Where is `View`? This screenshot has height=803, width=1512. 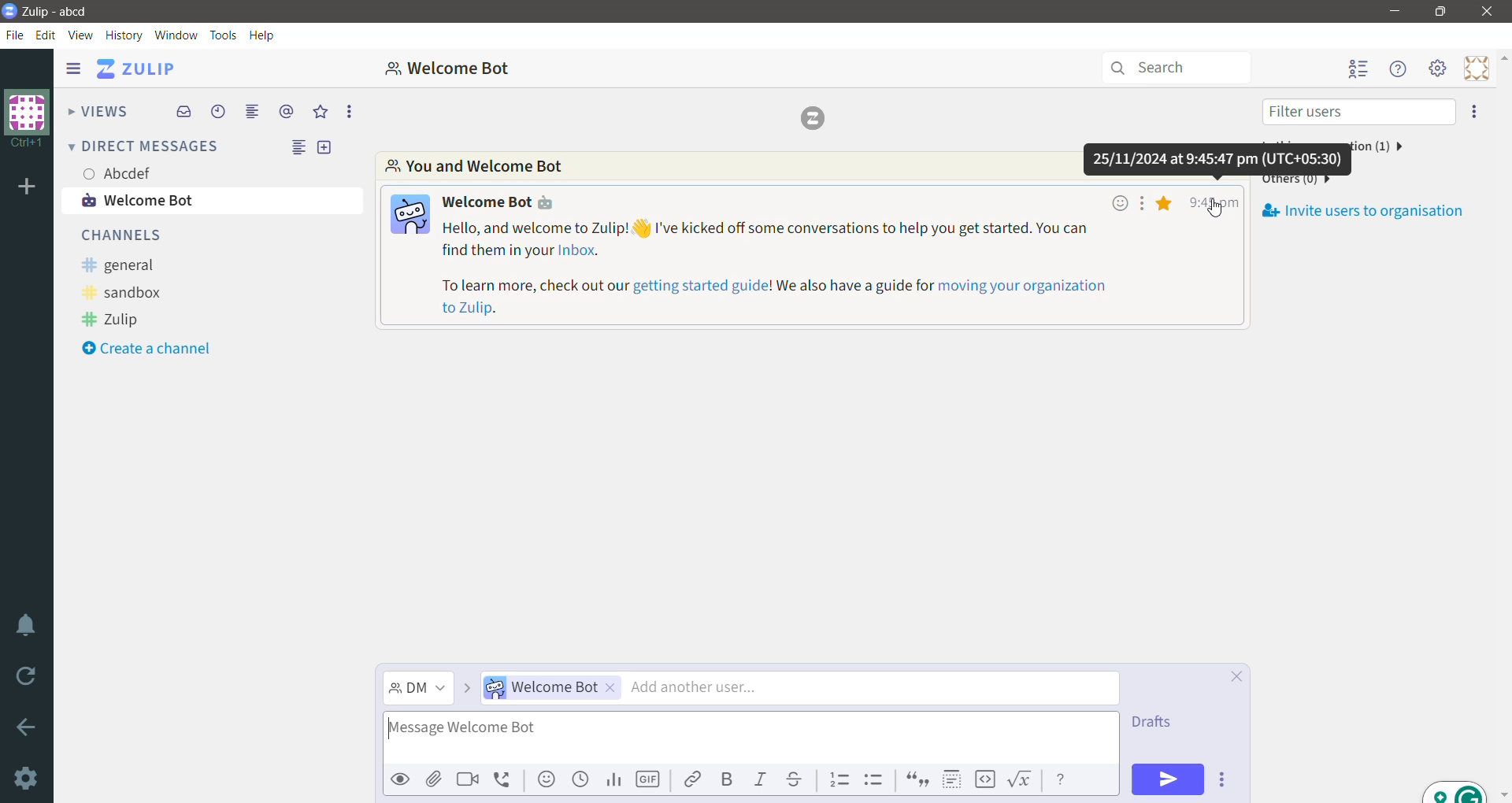
View is located at coordinates (82, 34).